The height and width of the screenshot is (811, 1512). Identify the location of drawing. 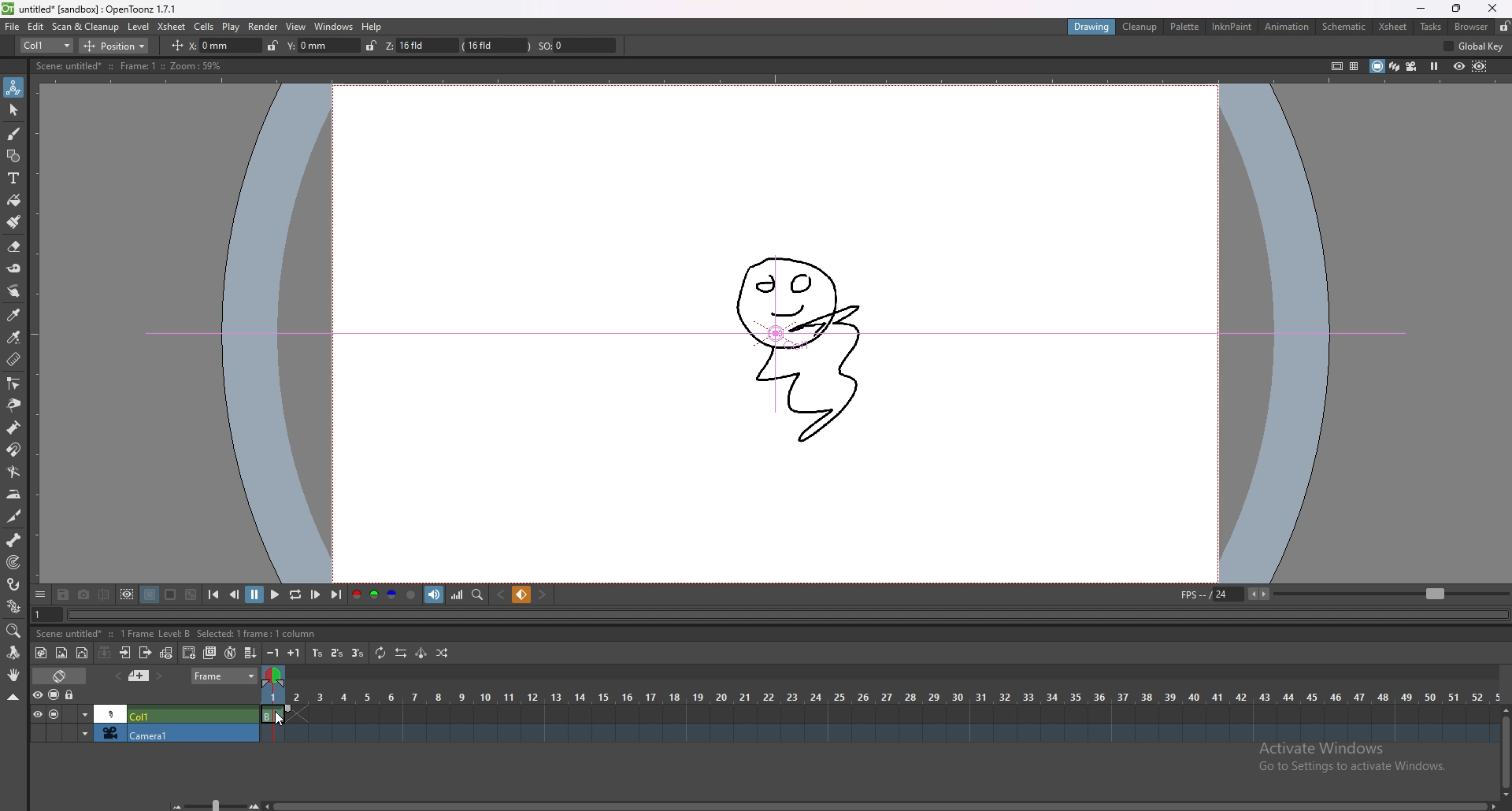
(1091, 25).